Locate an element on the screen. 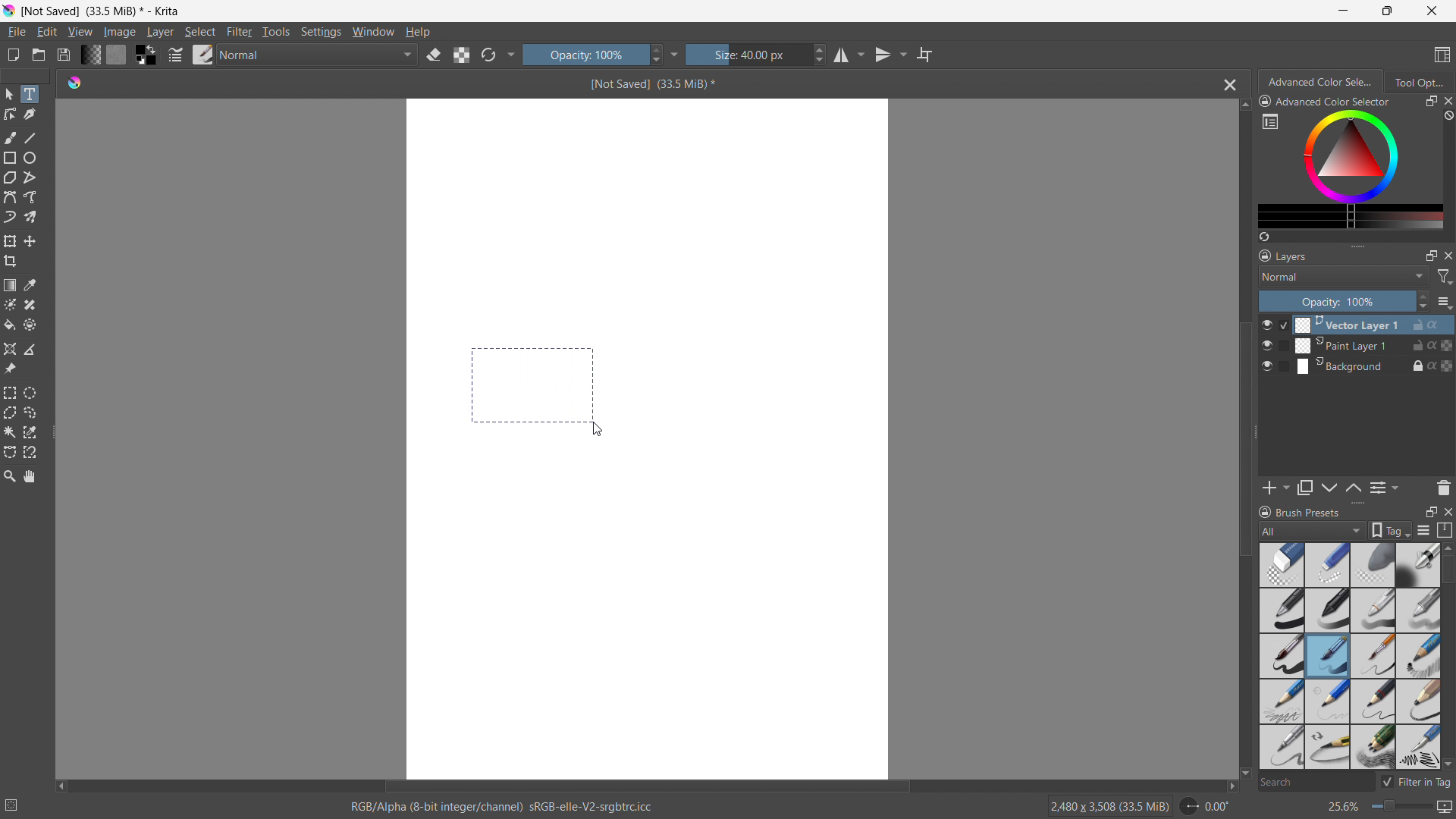  Paint Layer 1 is located at coordinates (1367, 346).